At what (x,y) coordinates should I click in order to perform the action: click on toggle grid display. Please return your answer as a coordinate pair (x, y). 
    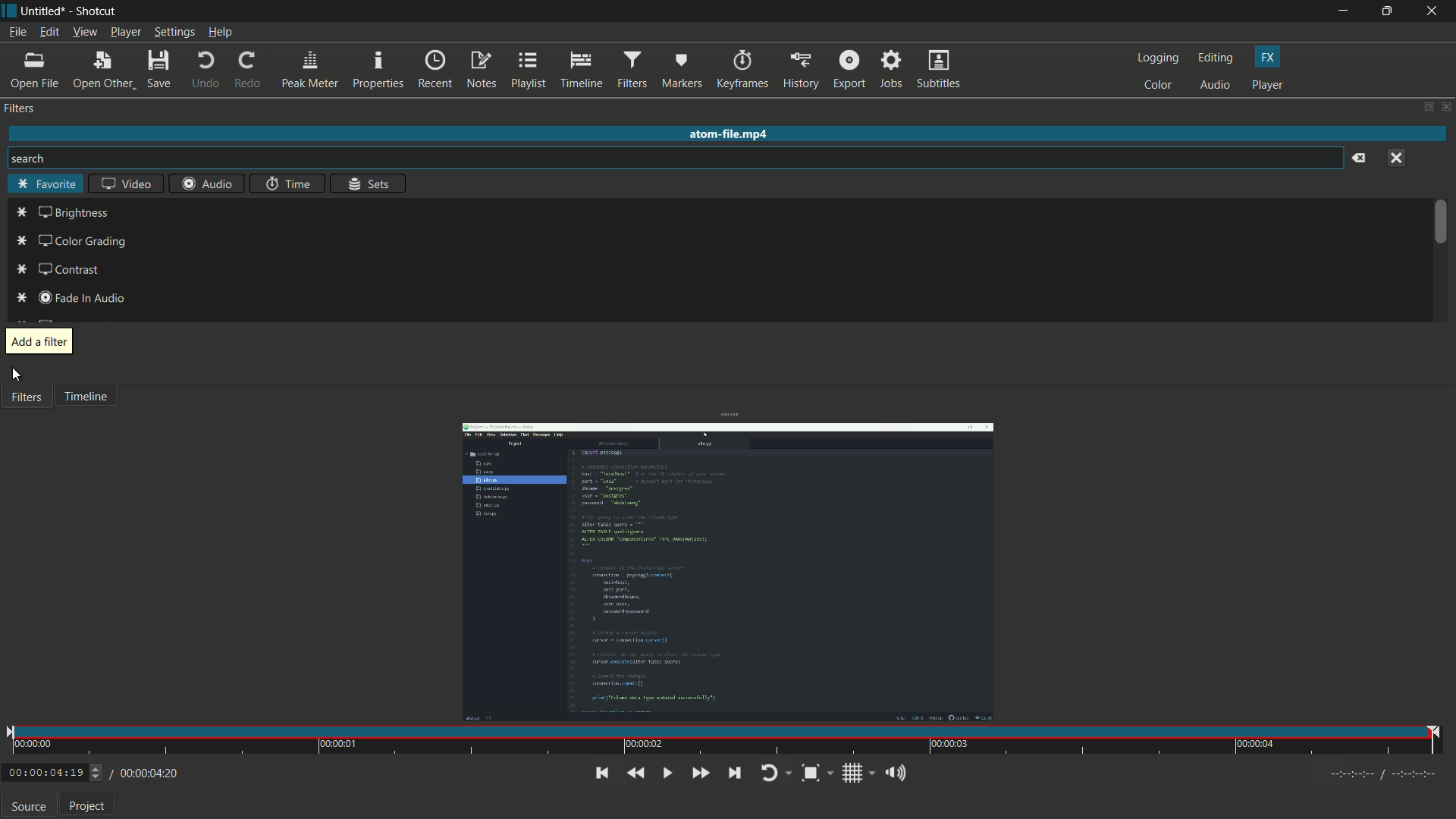
    Looking at the image, I should click on (859, 775).